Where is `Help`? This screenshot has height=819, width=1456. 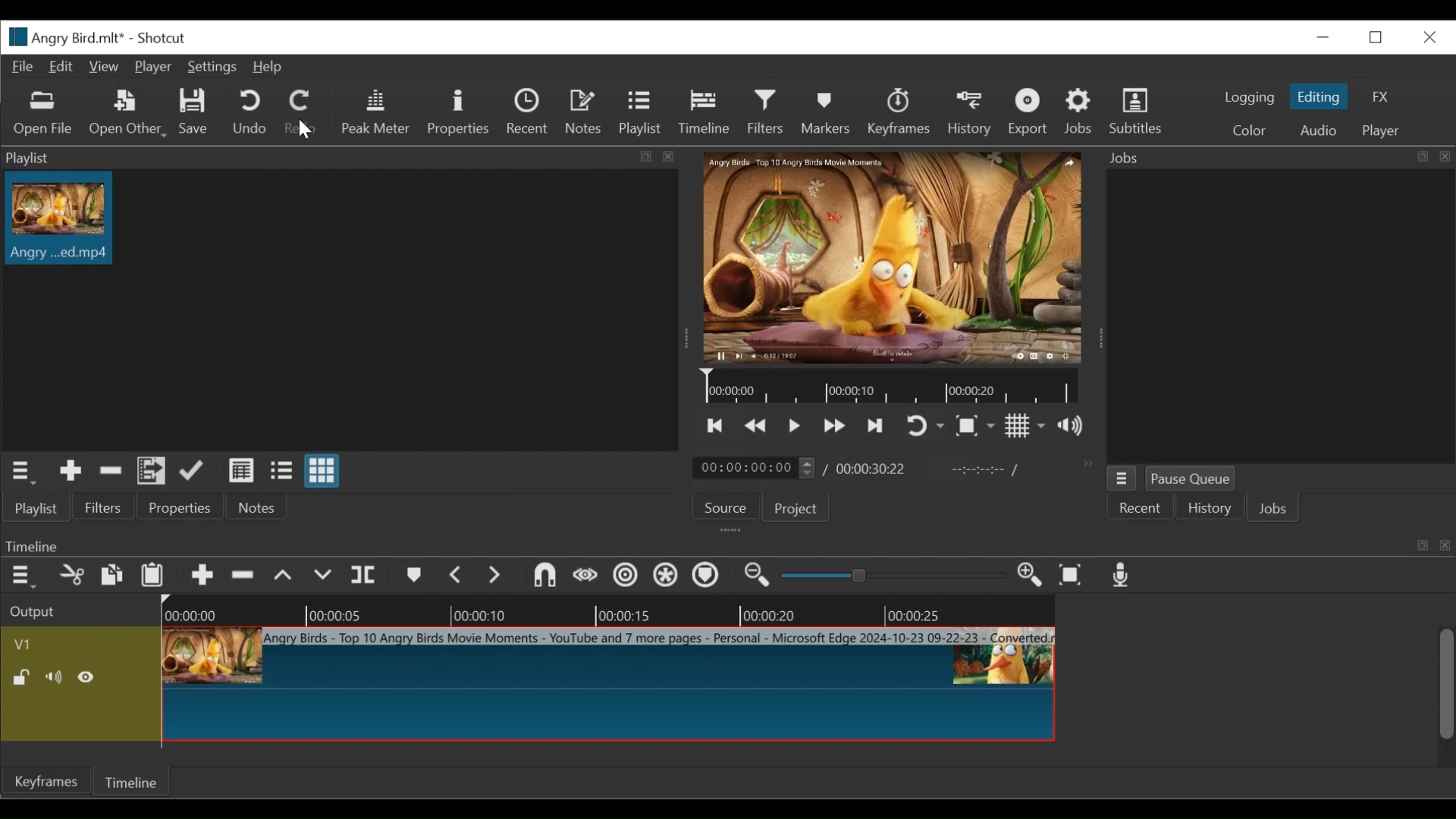
Help is located at coordinates (272, 67).